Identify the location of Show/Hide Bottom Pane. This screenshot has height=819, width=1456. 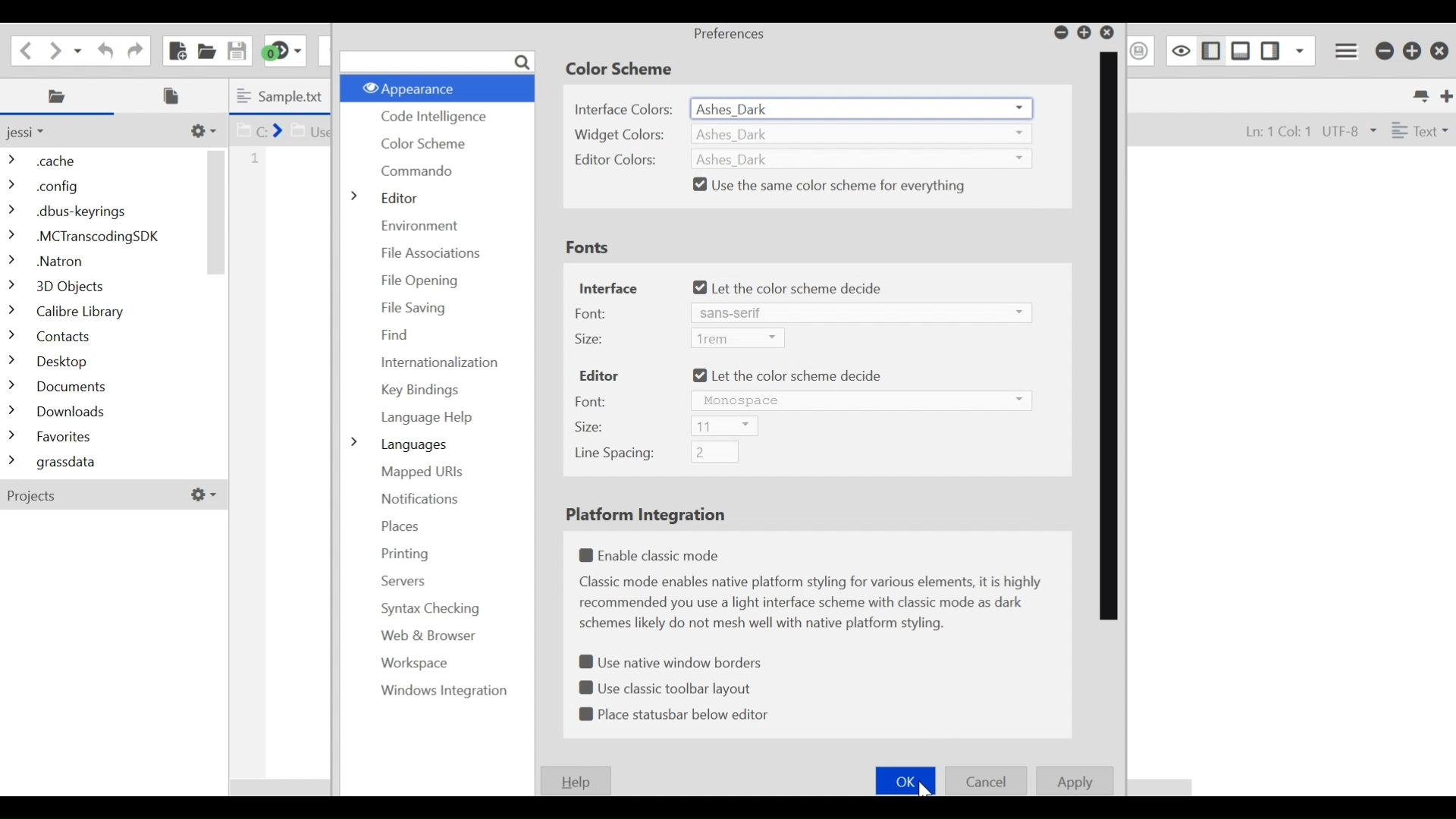
(1241, 50).